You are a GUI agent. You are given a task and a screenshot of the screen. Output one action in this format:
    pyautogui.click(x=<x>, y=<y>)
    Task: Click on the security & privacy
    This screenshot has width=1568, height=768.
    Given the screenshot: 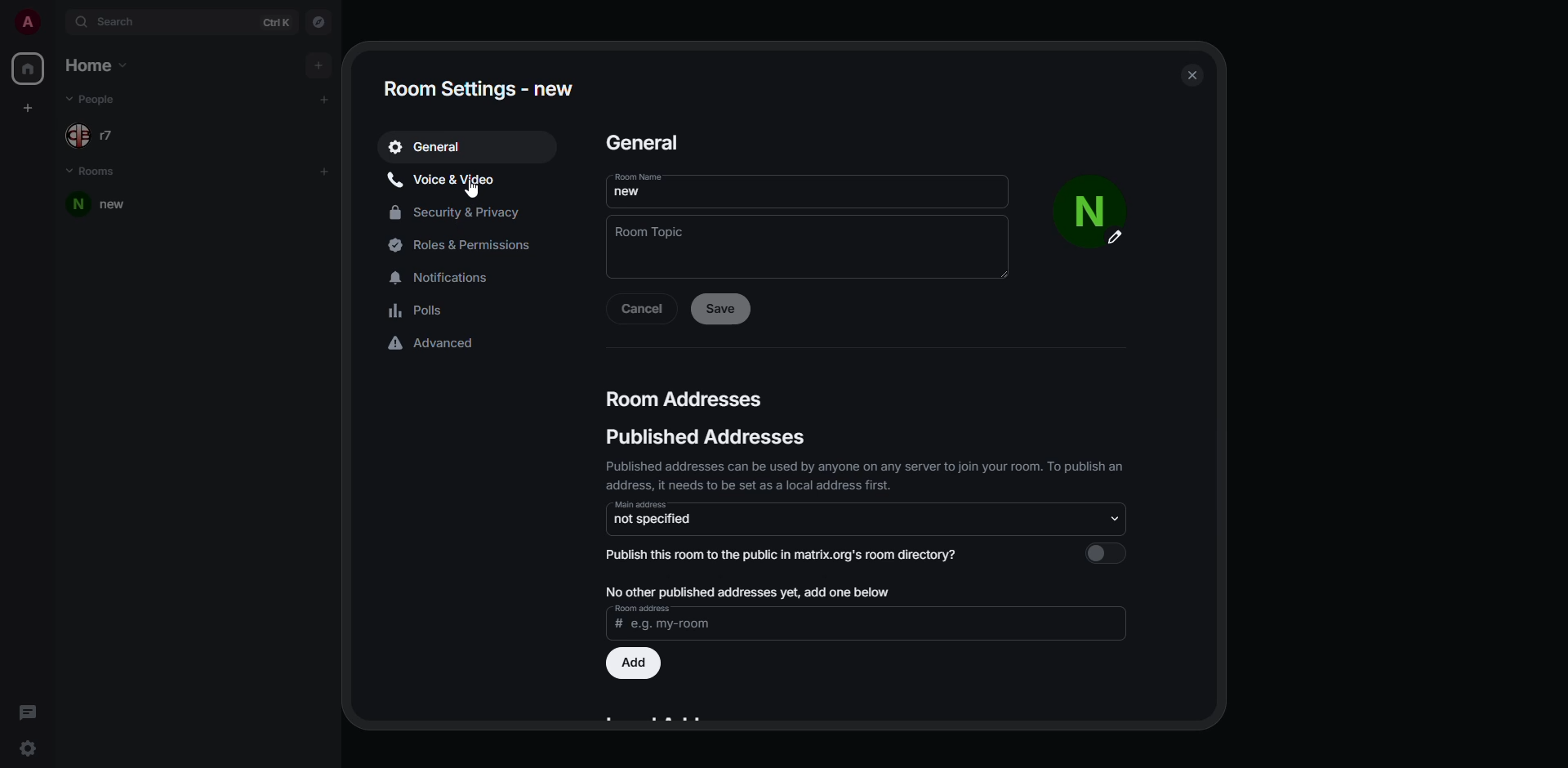 What is the action you would take?
    pyautogui.click(x=457, y=210)
    